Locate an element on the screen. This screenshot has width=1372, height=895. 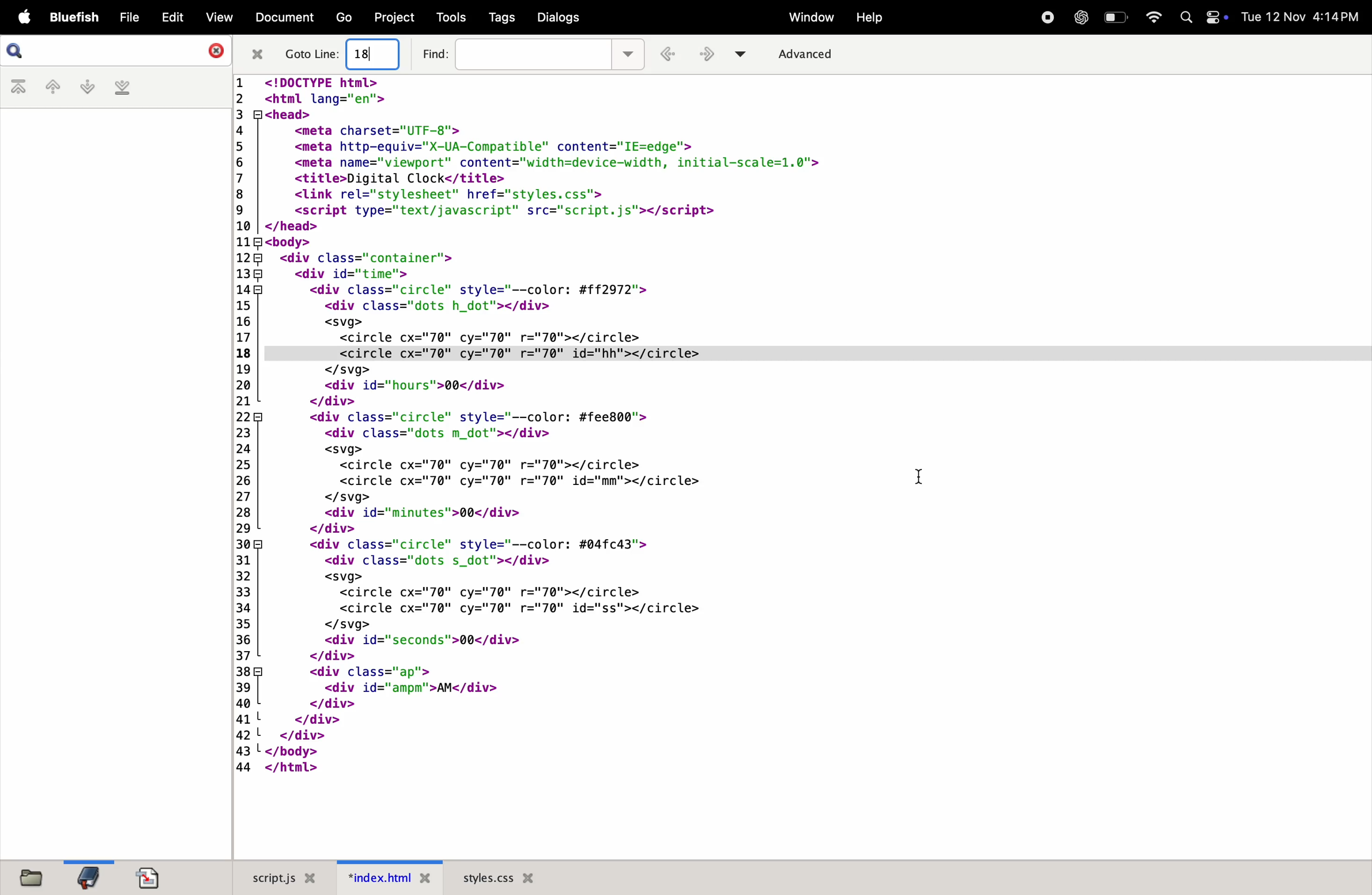
Spotlight is located at coordinates (1186, 17).